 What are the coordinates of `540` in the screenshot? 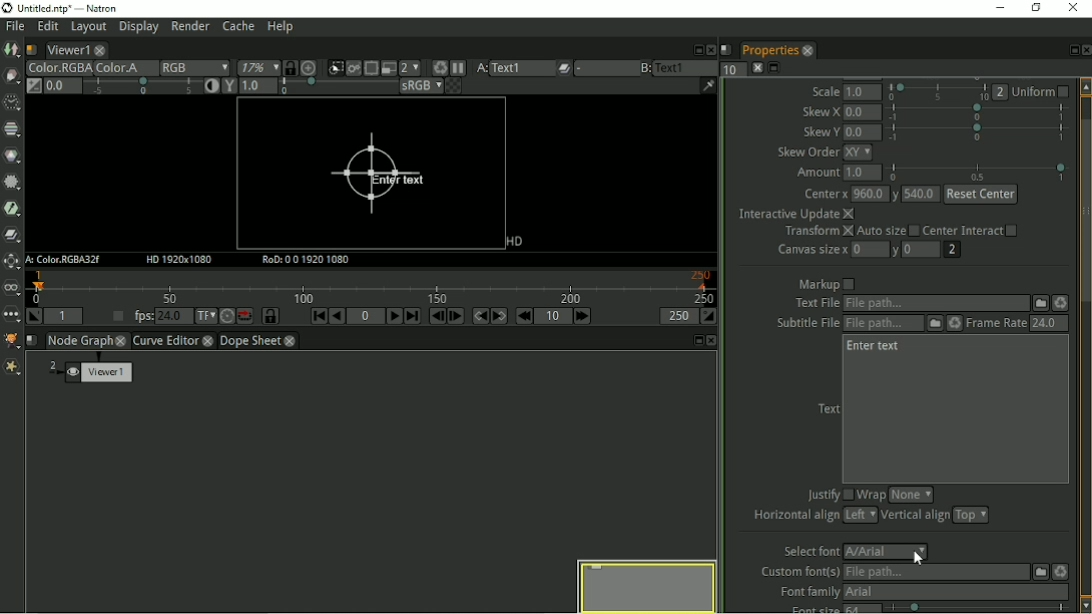 It's located at (921, 196).